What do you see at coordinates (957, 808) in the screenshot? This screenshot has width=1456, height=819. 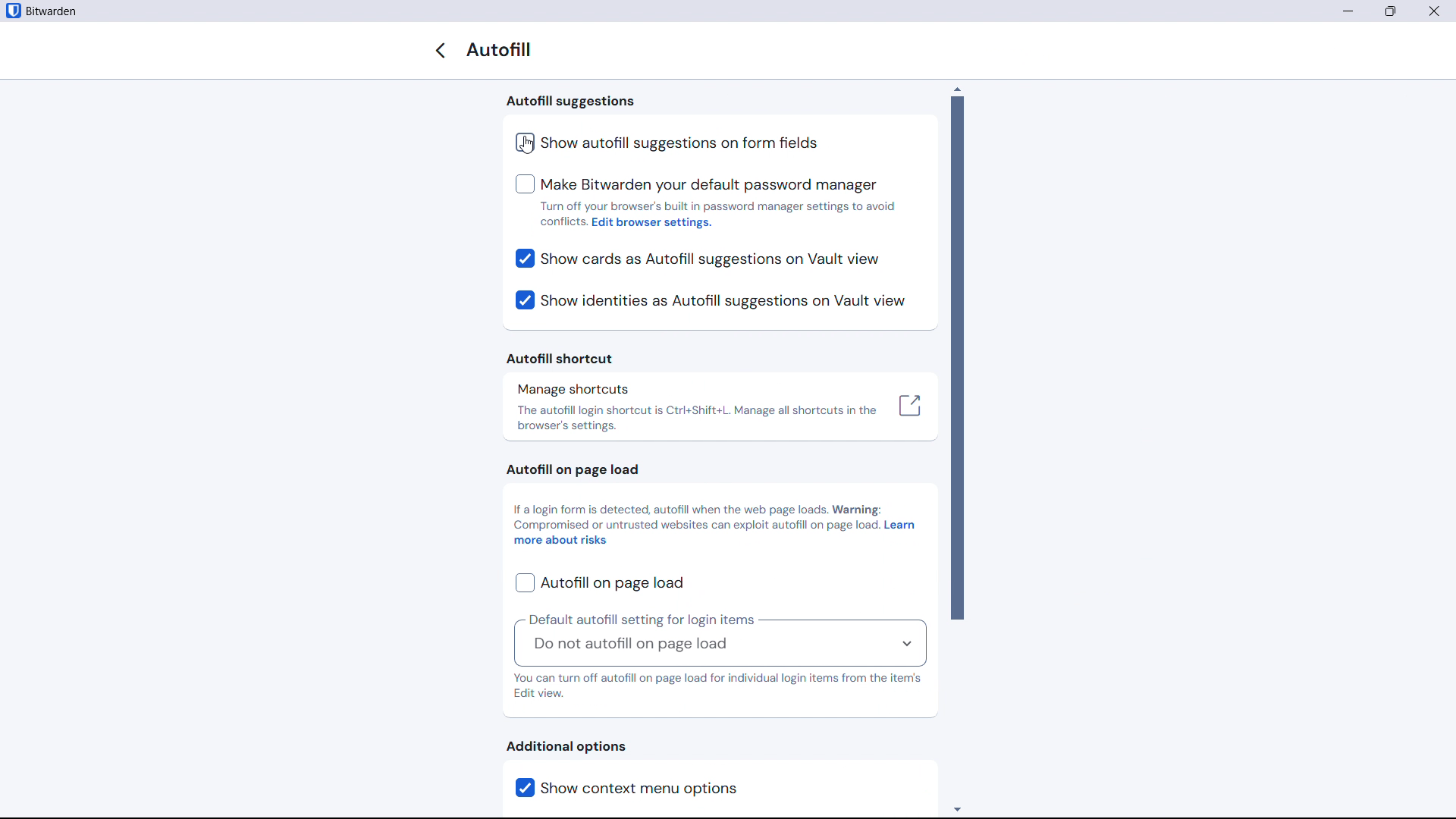 I see `Scroll down ` at bounding box center [957, 808].